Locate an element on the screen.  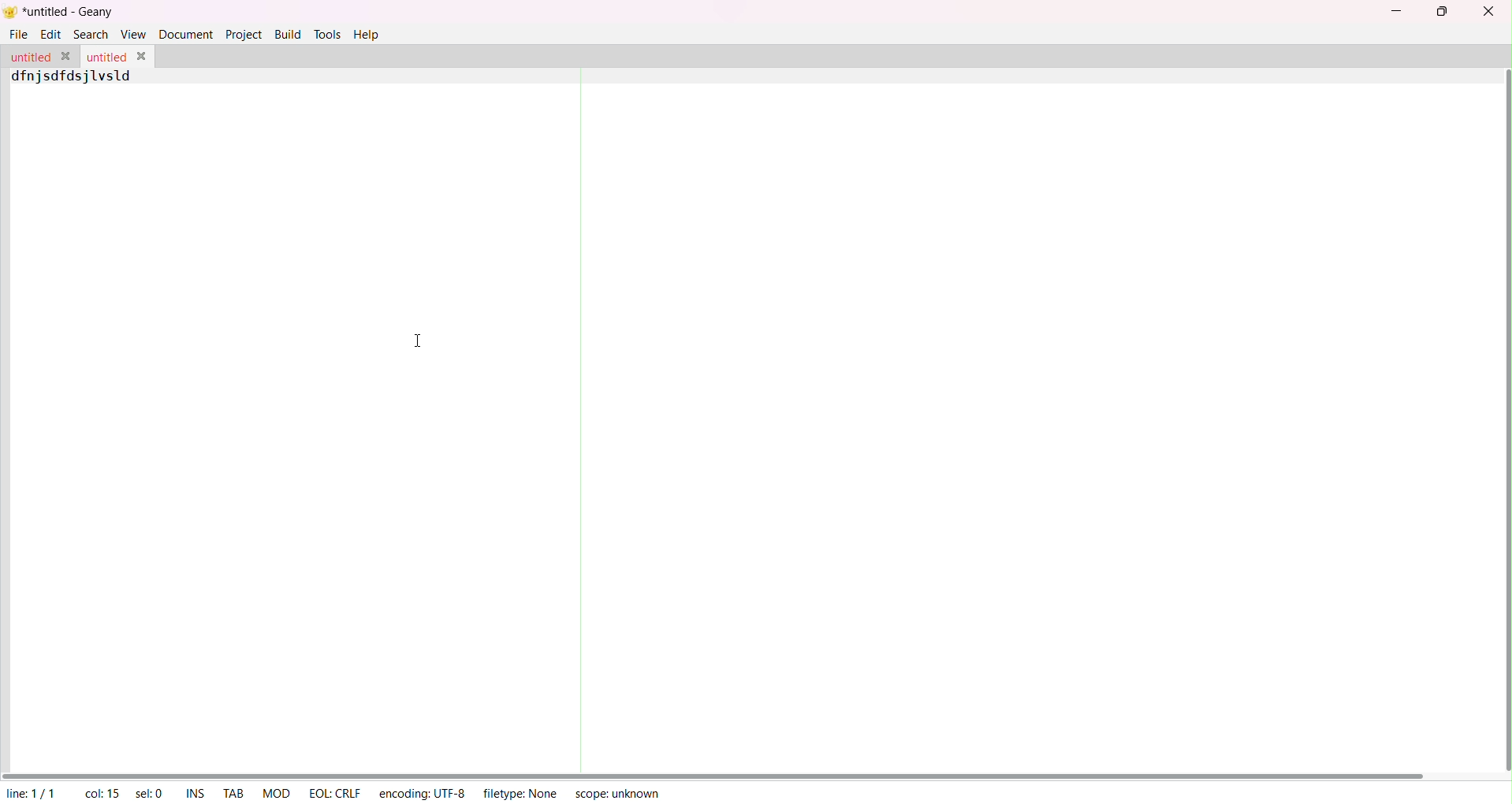
close tab is located at coordinates (143, 56).